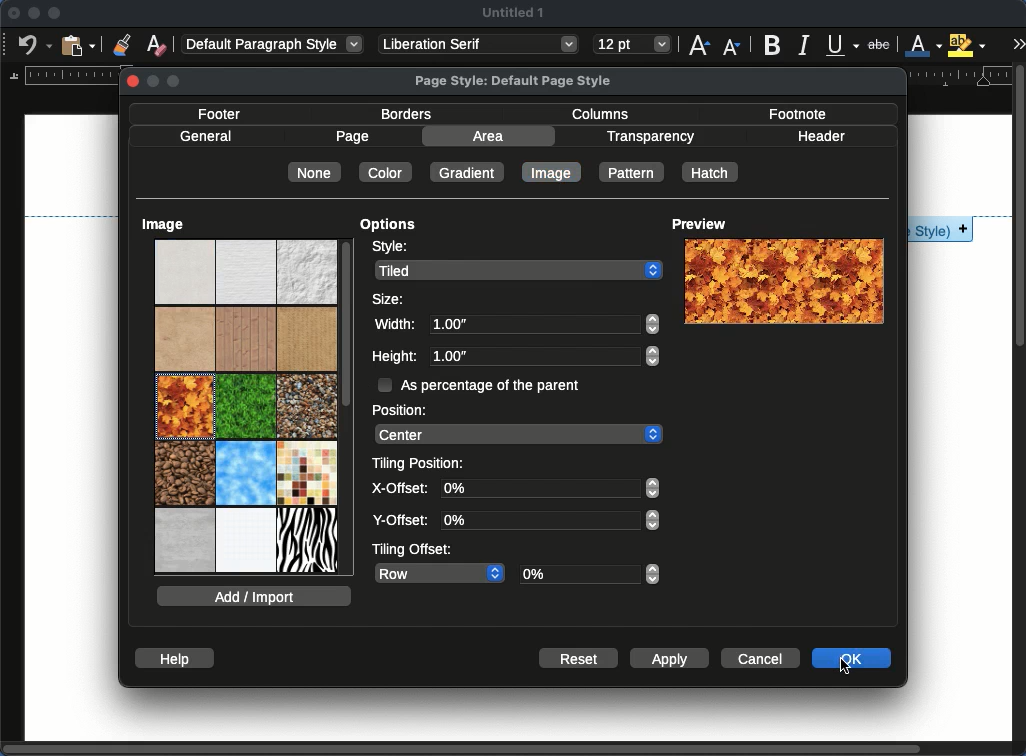 This screenshot has width=1026, height=756. Describe the element at coordinates (394, 323) in the screenshot. I see `width:` at that location.